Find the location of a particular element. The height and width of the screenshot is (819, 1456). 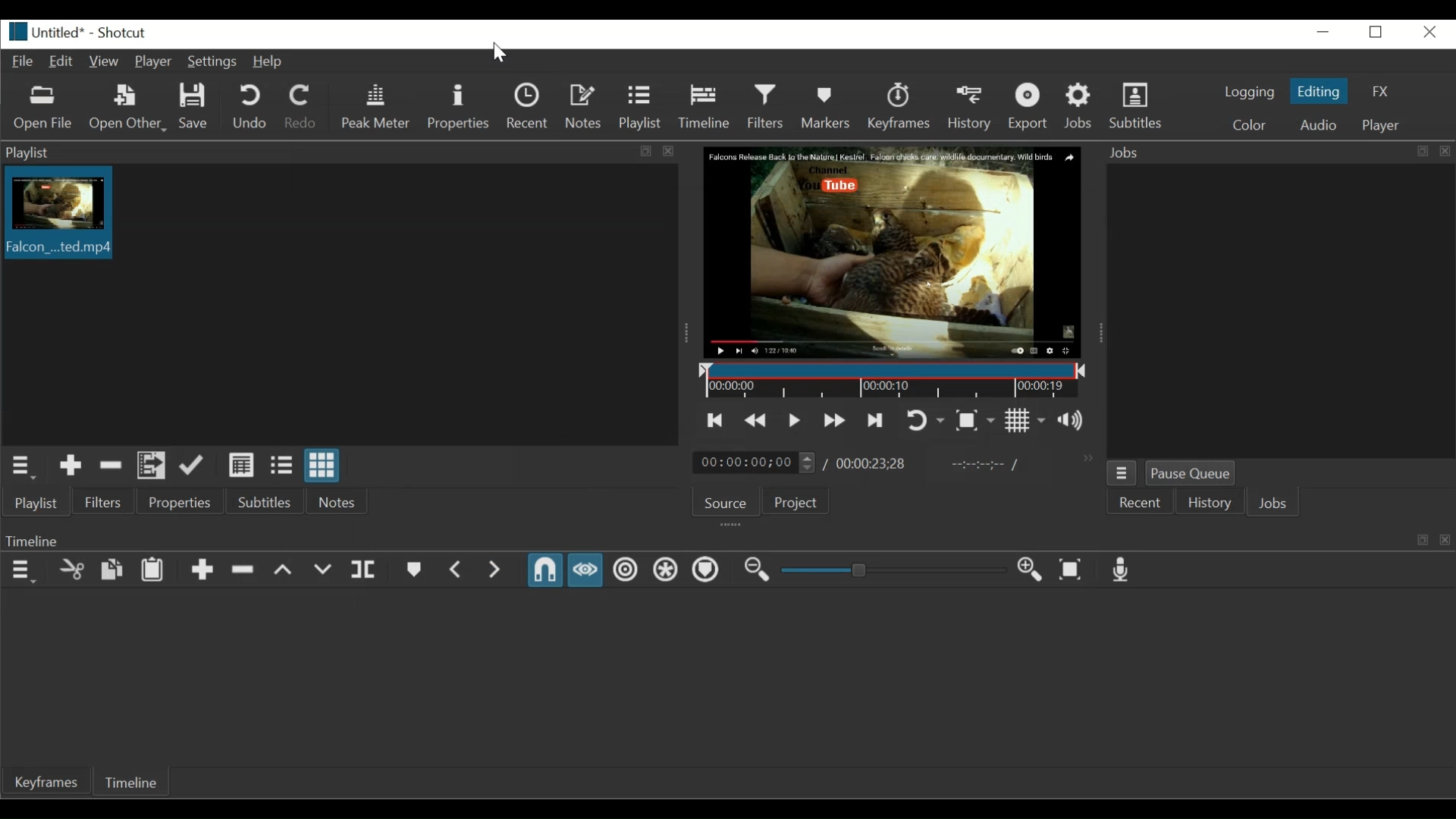

History is located at coordinates (1209, 503).